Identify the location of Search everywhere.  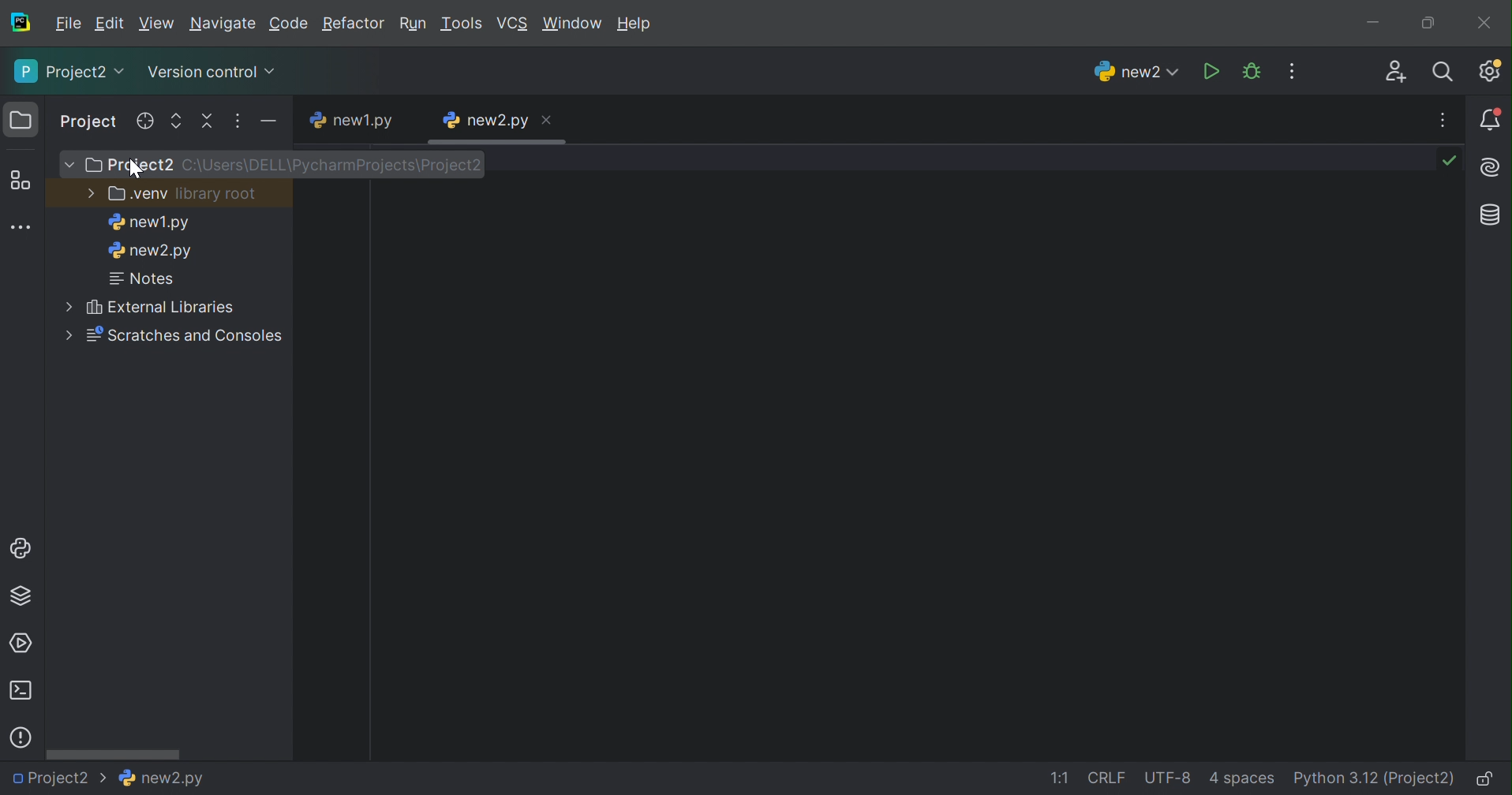
(1449, 73).